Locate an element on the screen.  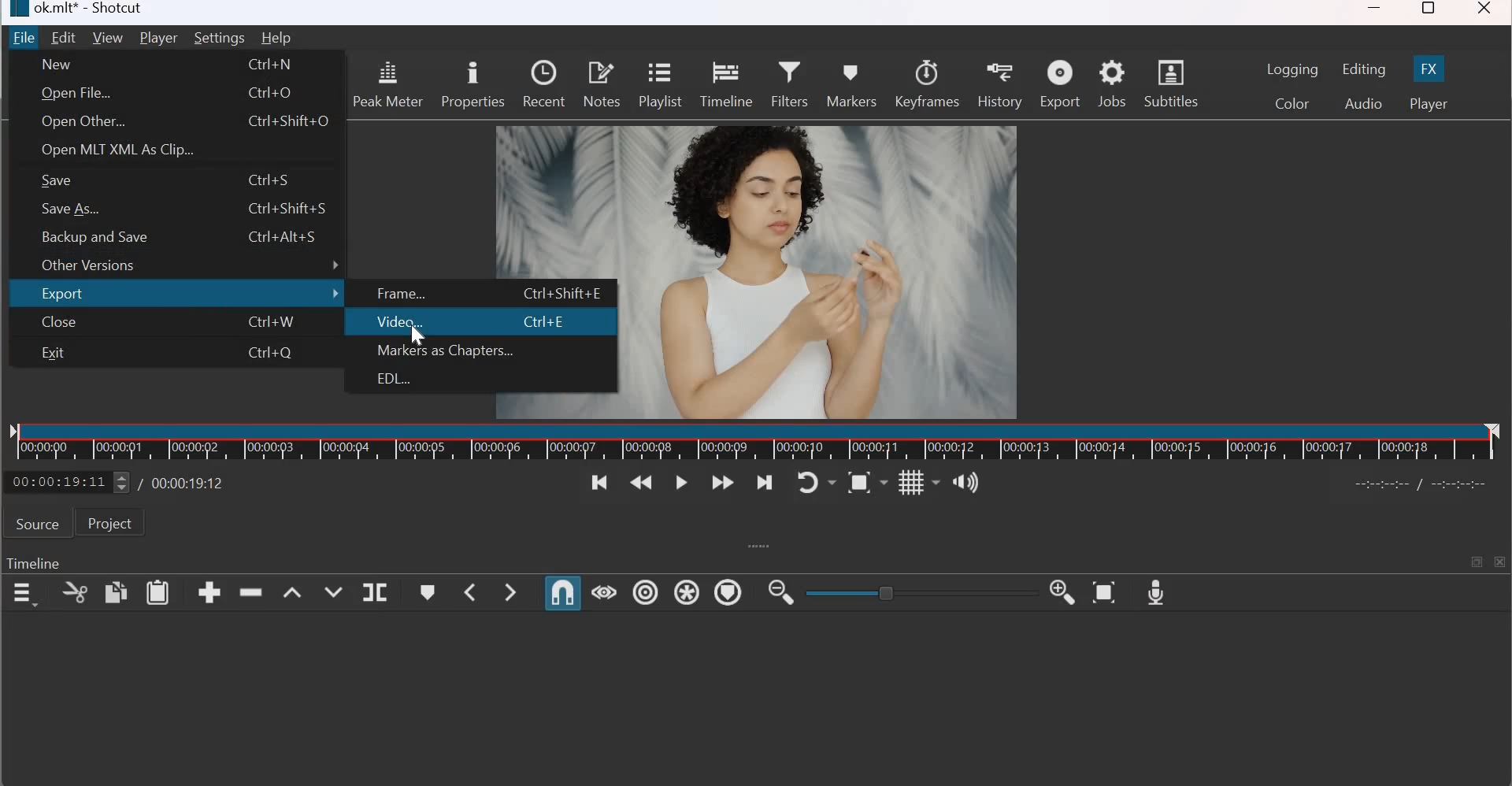
Export is located at coordinates (1060, 84).